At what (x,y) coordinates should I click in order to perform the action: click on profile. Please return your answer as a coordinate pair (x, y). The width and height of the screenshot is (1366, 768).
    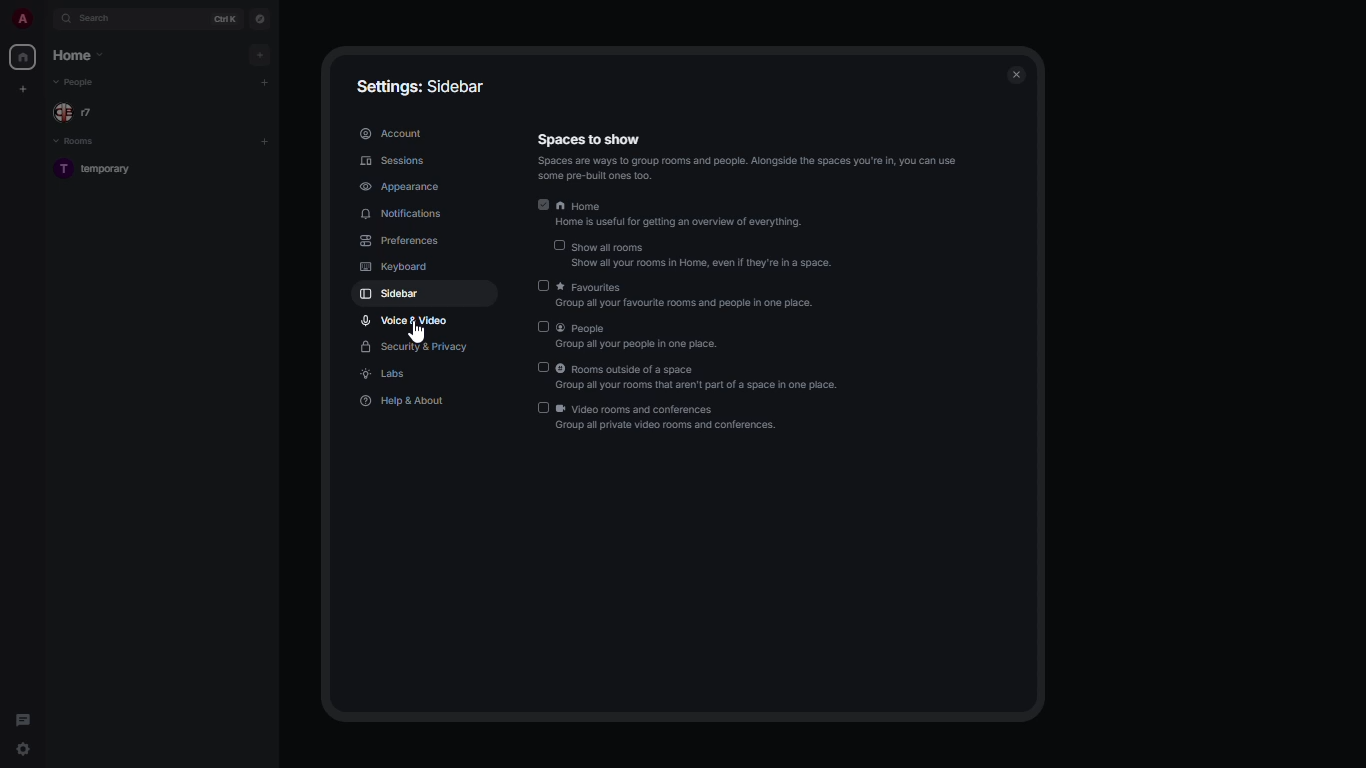
    Looking at the image, I should click on (19, 19).